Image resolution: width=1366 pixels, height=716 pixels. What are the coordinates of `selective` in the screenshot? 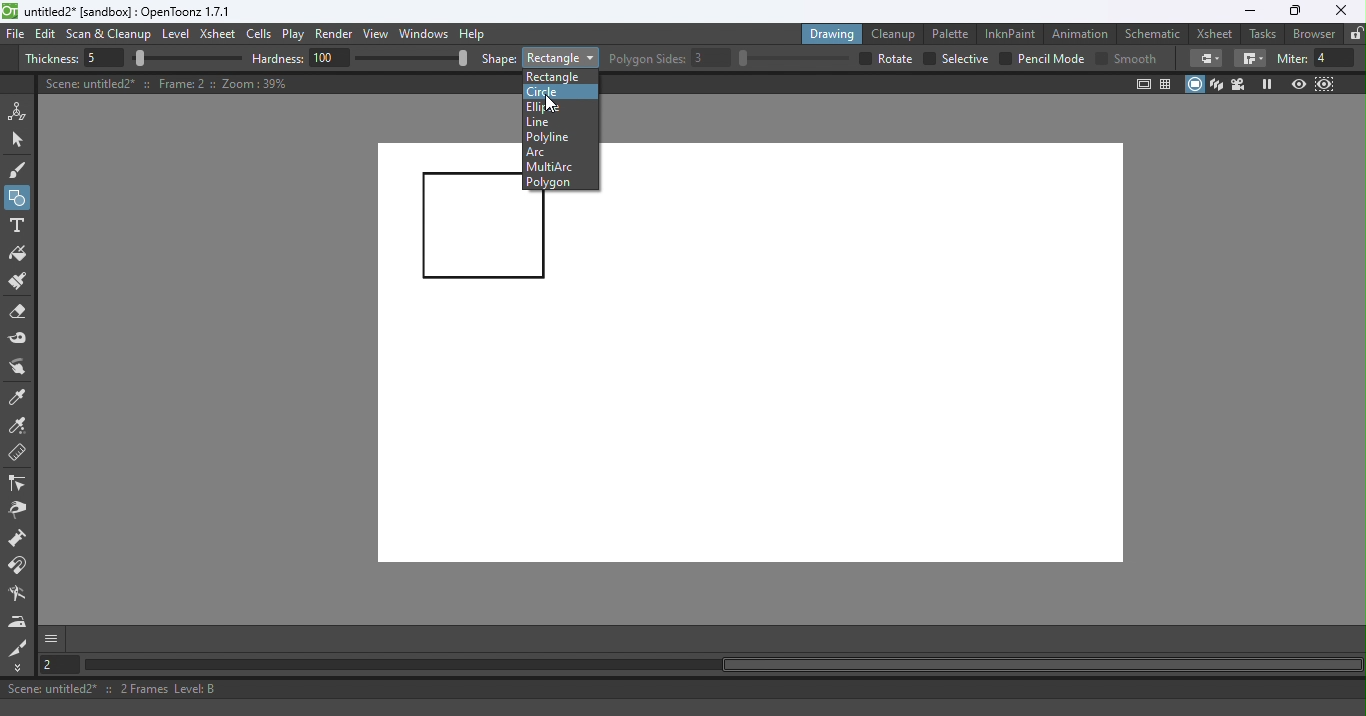 It's located at (965, 59).